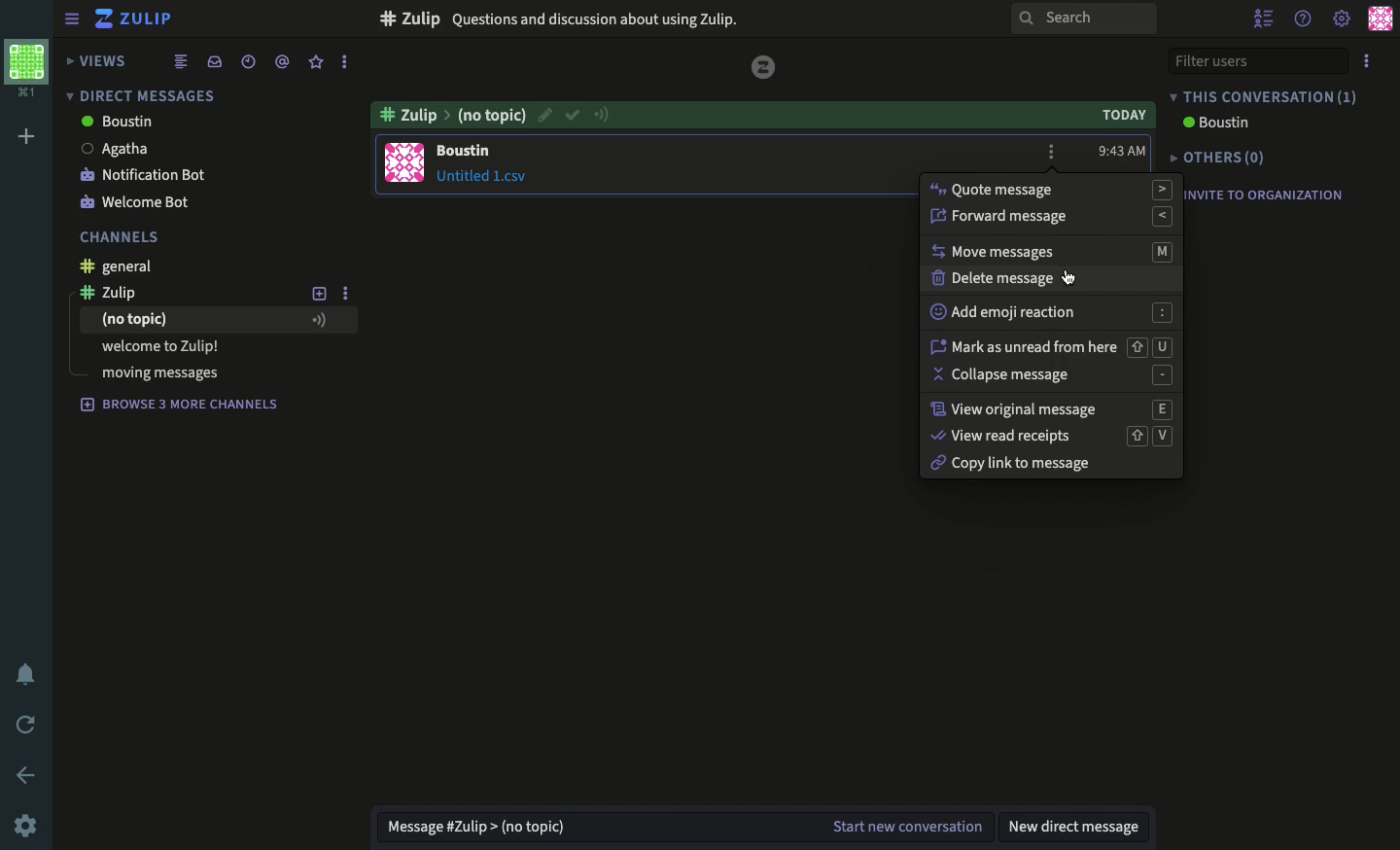 The image size is (1400, 850). What do you see at coordinates (71, 18) in the screenshot?
I see `sidebar` at bounding box center [71, 18].